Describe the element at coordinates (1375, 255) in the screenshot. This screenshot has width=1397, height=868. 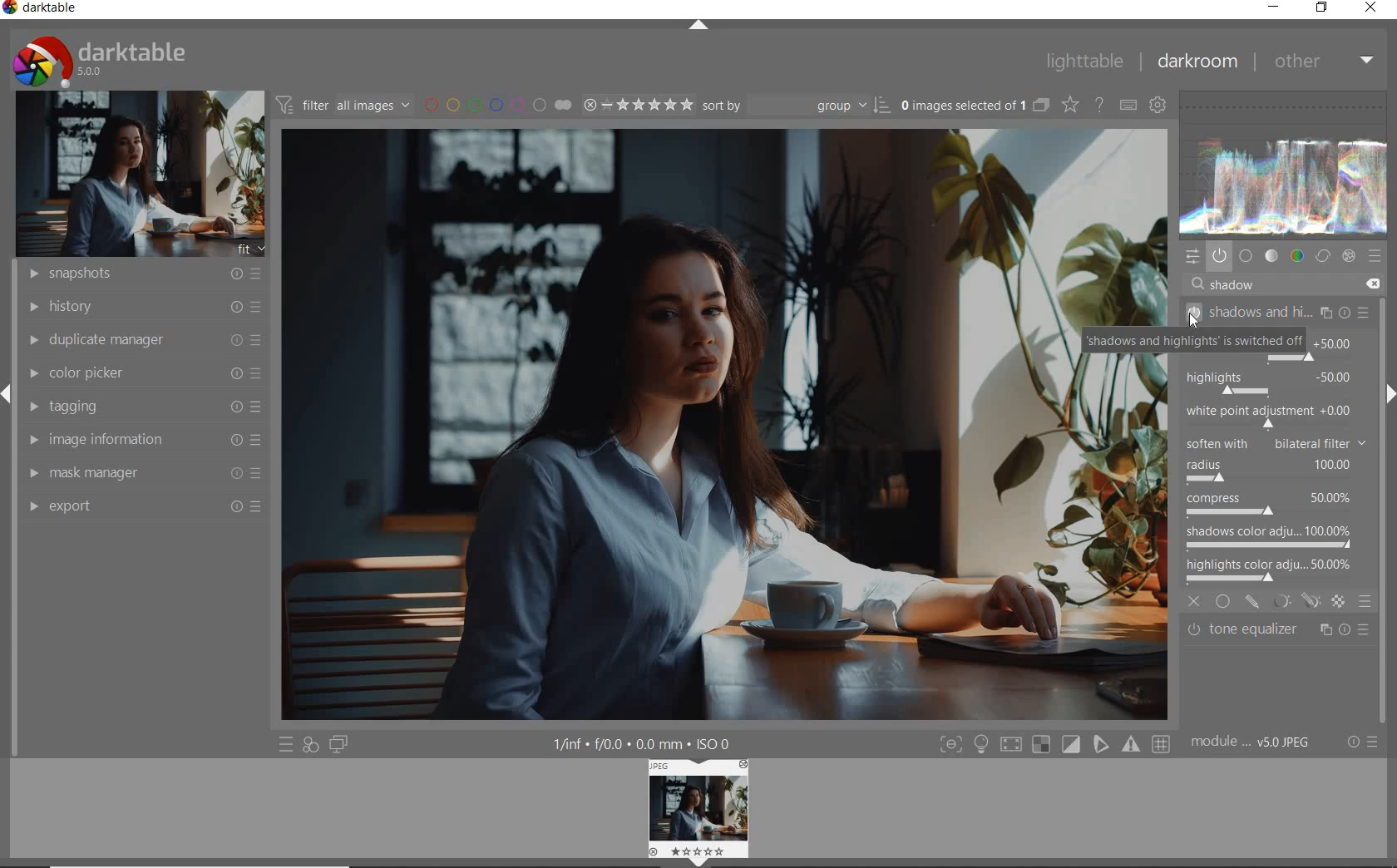
I see `presets` at that location.